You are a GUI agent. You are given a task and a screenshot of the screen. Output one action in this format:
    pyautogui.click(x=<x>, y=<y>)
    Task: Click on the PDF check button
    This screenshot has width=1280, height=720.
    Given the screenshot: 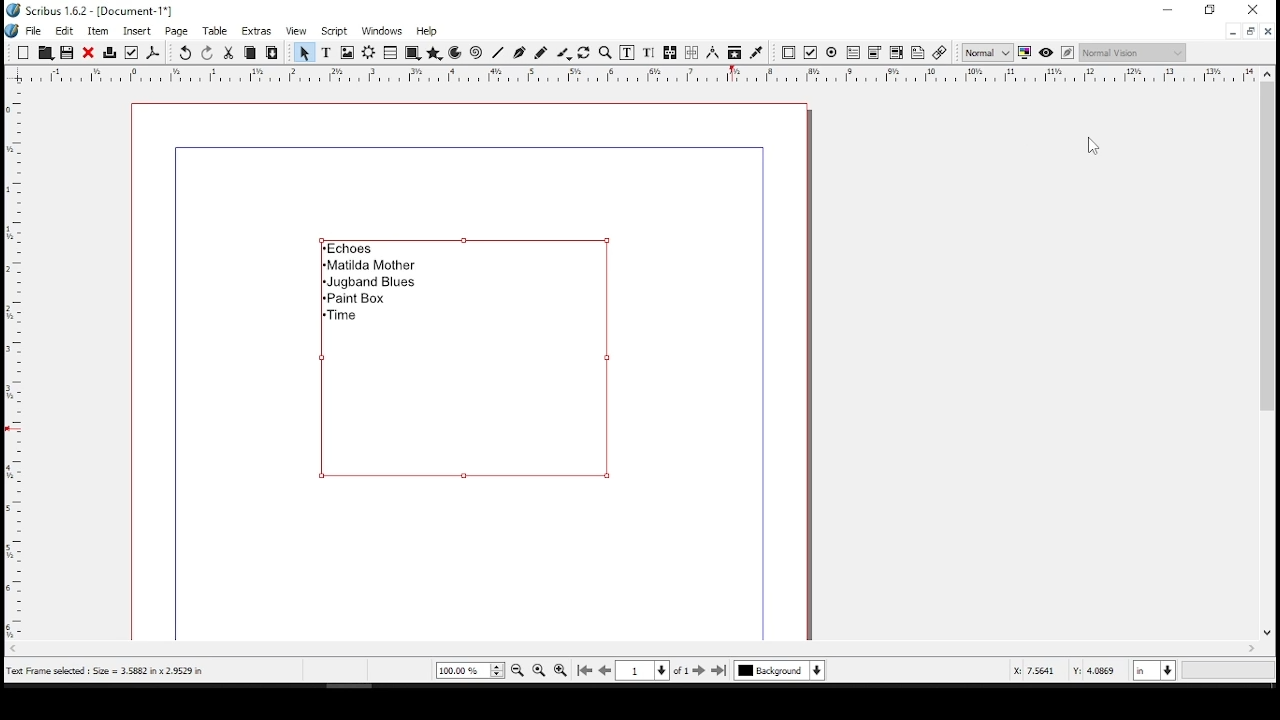 What is the action you would take?
    pyautogui.click(x=811, y=53)
    